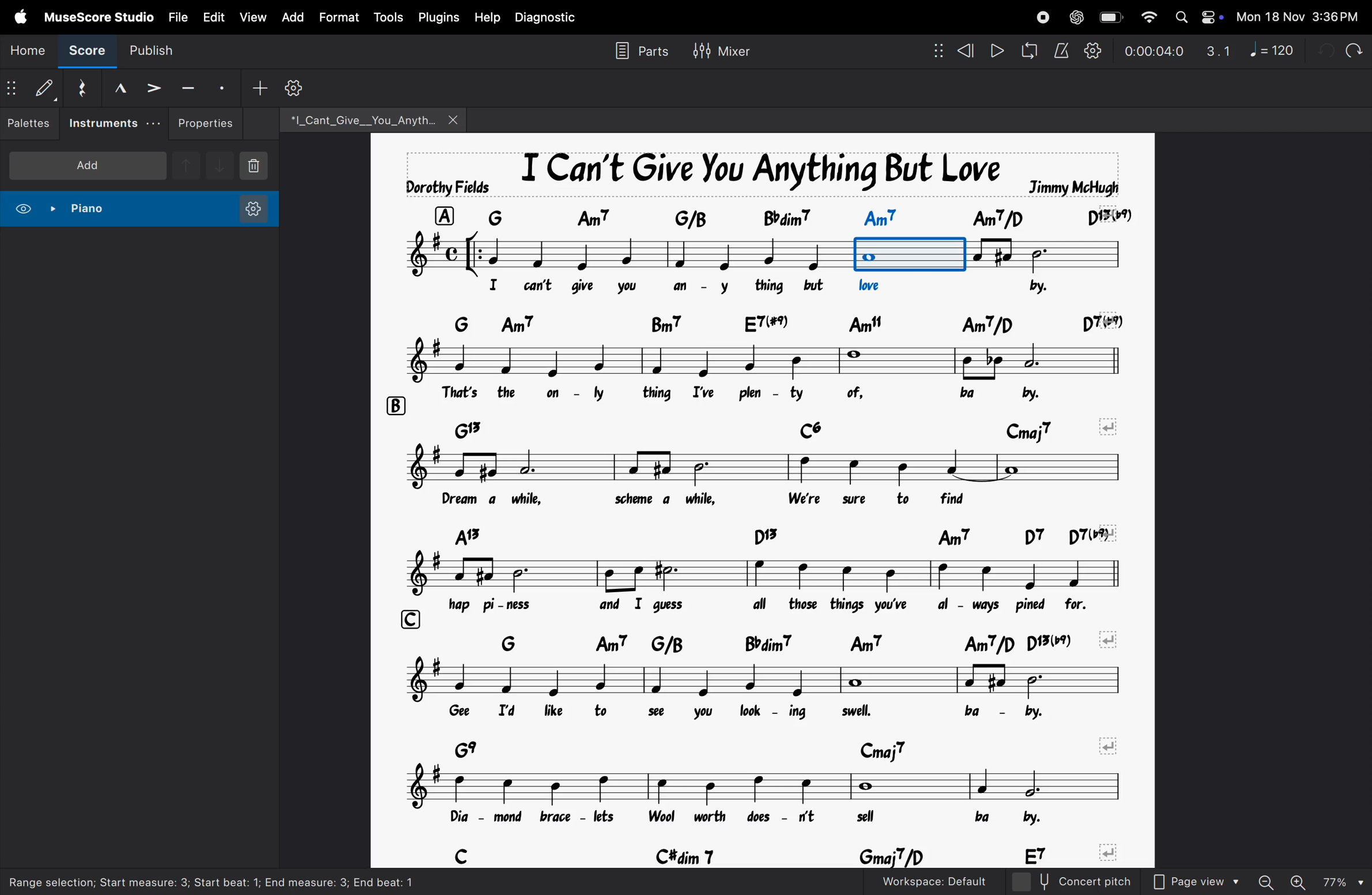 The height and width of the screenshot is (895, 1372). I want to click on 3.1, so click(1215, 49).